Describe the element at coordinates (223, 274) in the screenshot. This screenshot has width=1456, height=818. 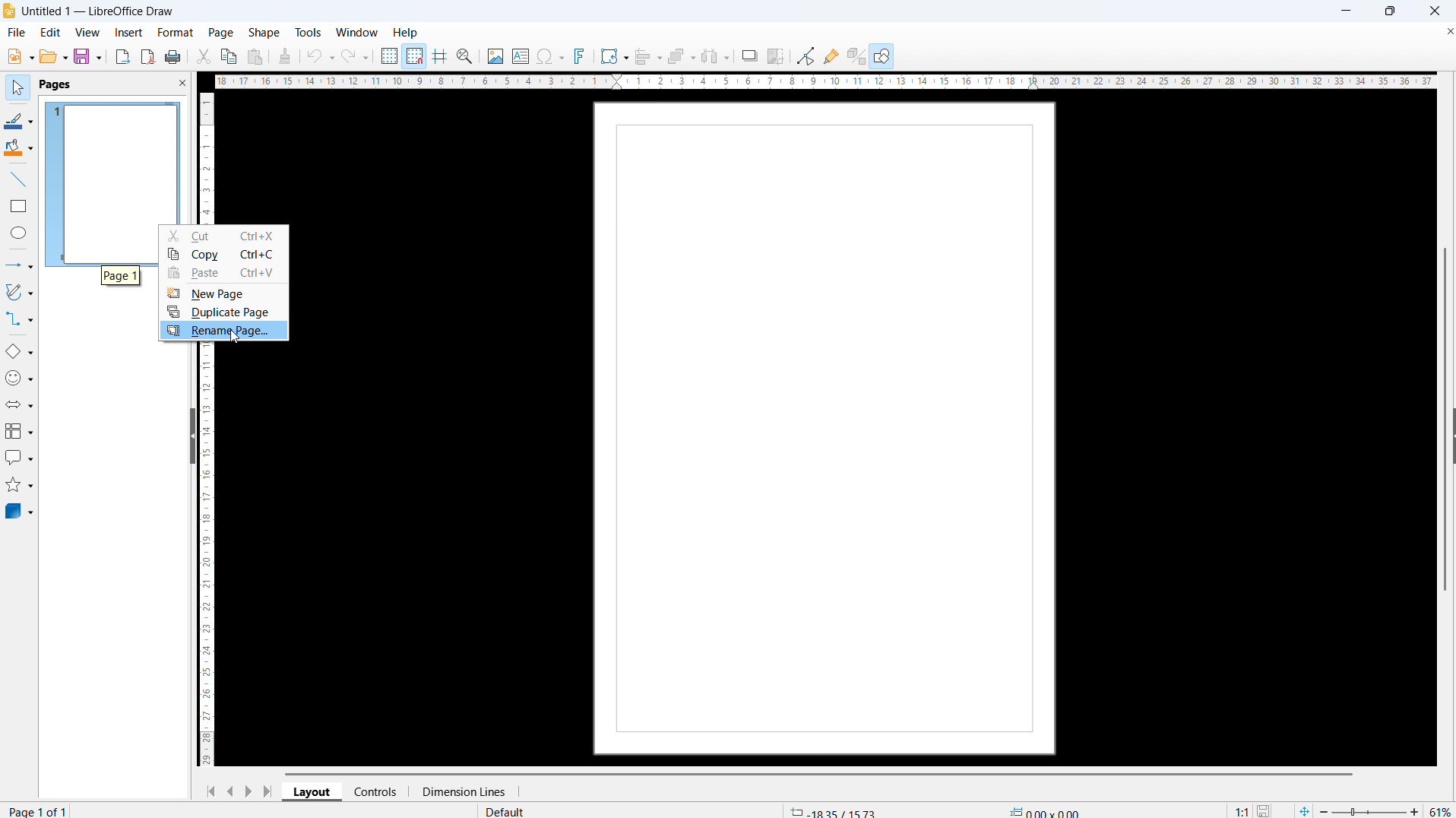
I see `paste` at that location.